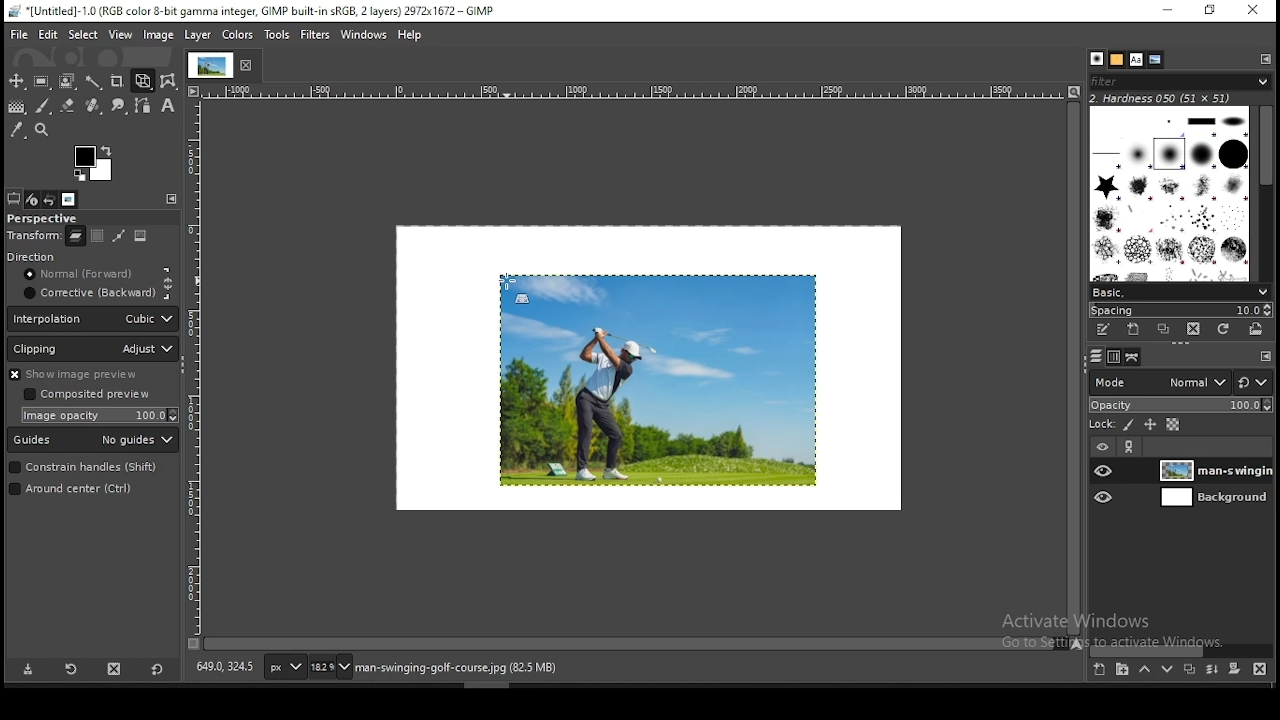  What do you see at coordinates (251, 12) in the screenshot?
I see `*[untitled]-1.0(rgb color 8-bit gamma integer, gimp built-in sRGB, 2 layers) 2972x1672 - gimp` at bounding box center [251, 12].